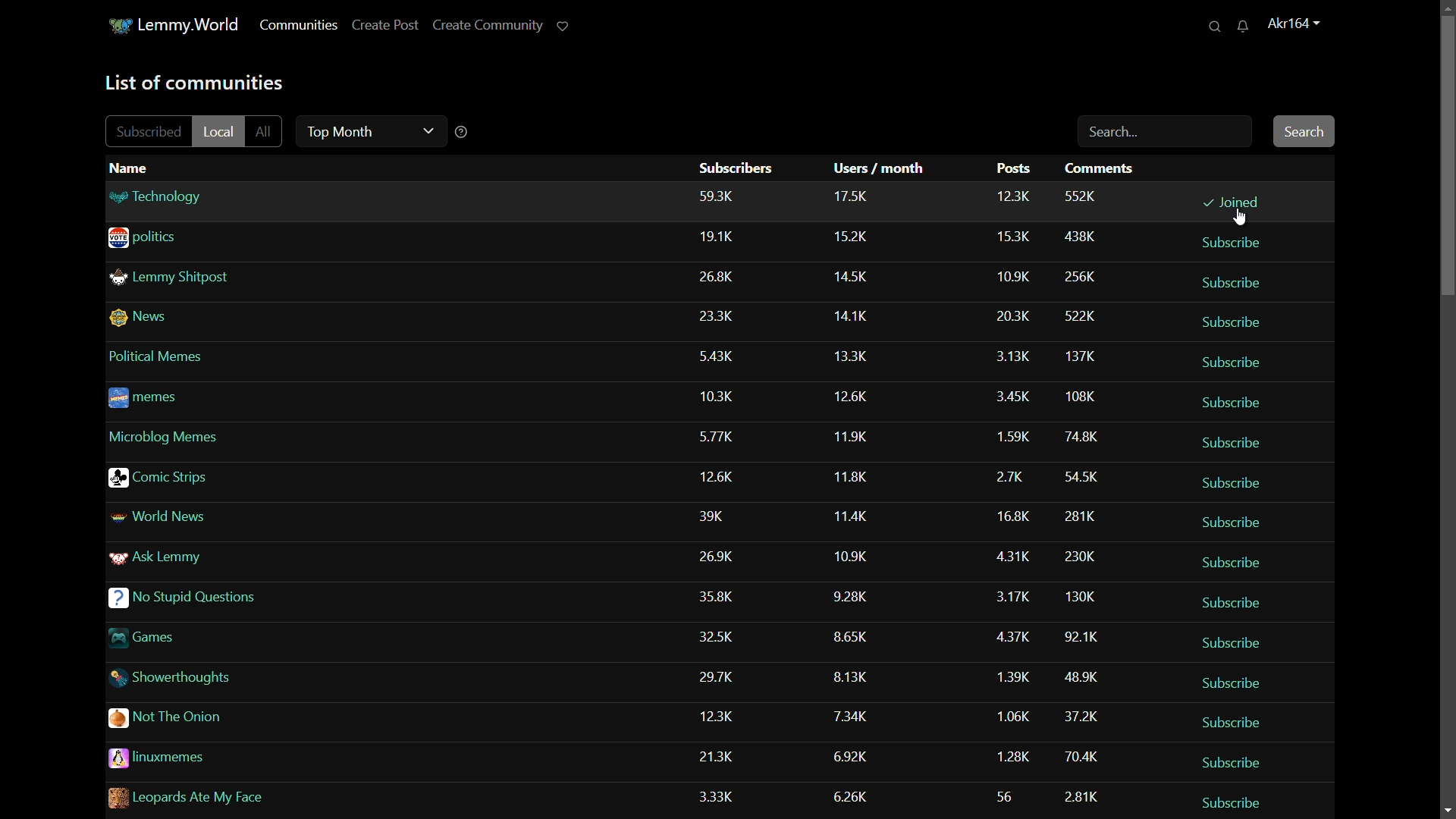 This screenshot has height=819, width=1456. I want to click on app icon, so click(121, 24).